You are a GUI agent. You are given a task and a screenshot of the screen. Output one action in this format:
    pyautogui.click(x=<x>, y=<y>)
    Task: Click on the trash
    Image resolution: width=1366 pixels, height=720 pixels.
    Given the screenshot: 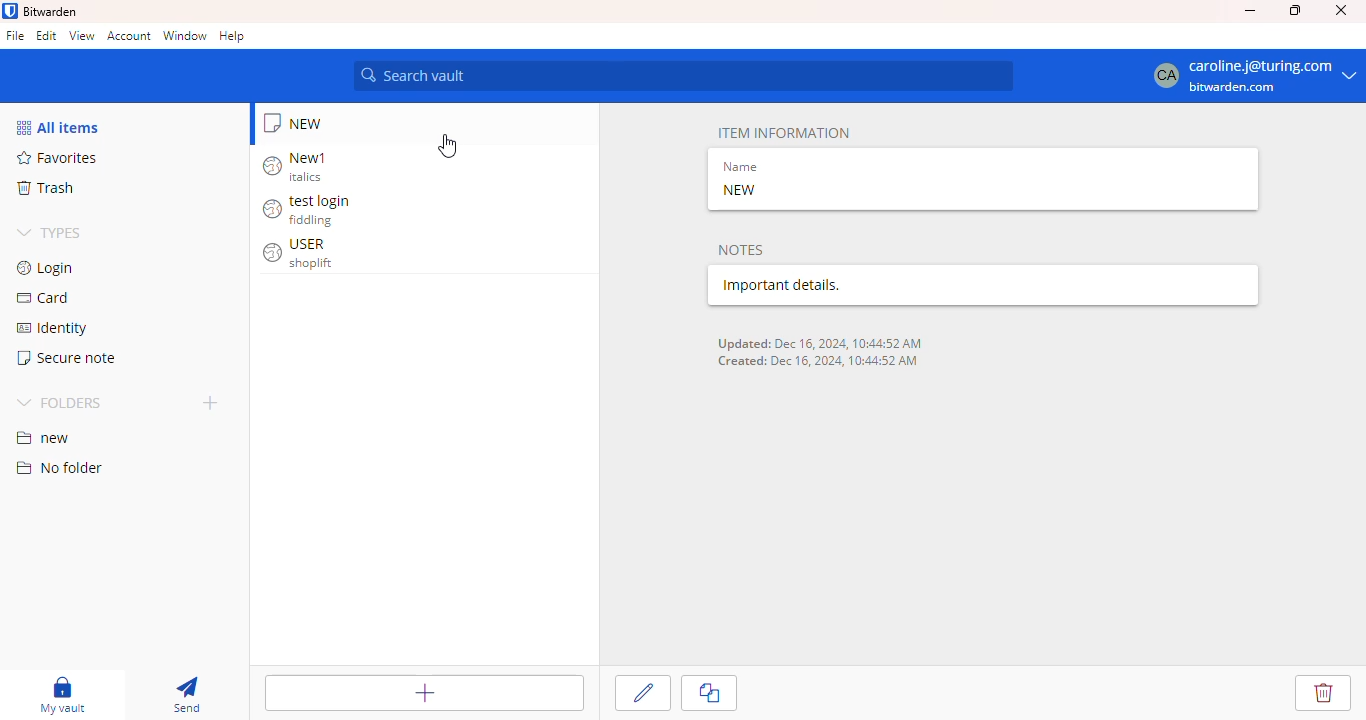 What is the action you would take?
    pyautogui.click(x=49, y=188)
    